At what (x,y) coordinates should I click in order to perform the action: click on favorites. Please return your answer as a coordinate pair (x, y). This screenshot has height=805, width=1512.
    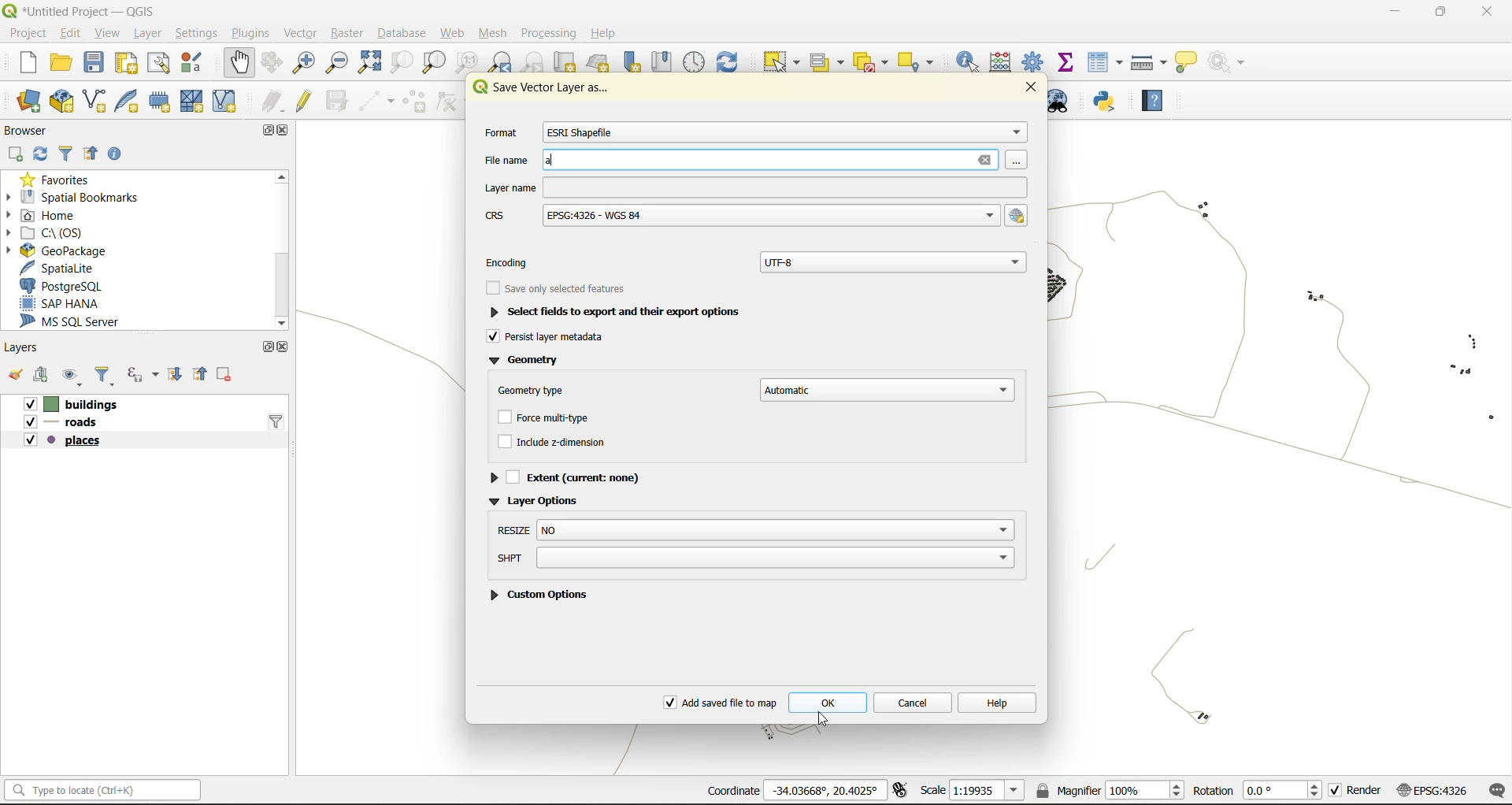
    Looking at the image, I should click on (61, 176).